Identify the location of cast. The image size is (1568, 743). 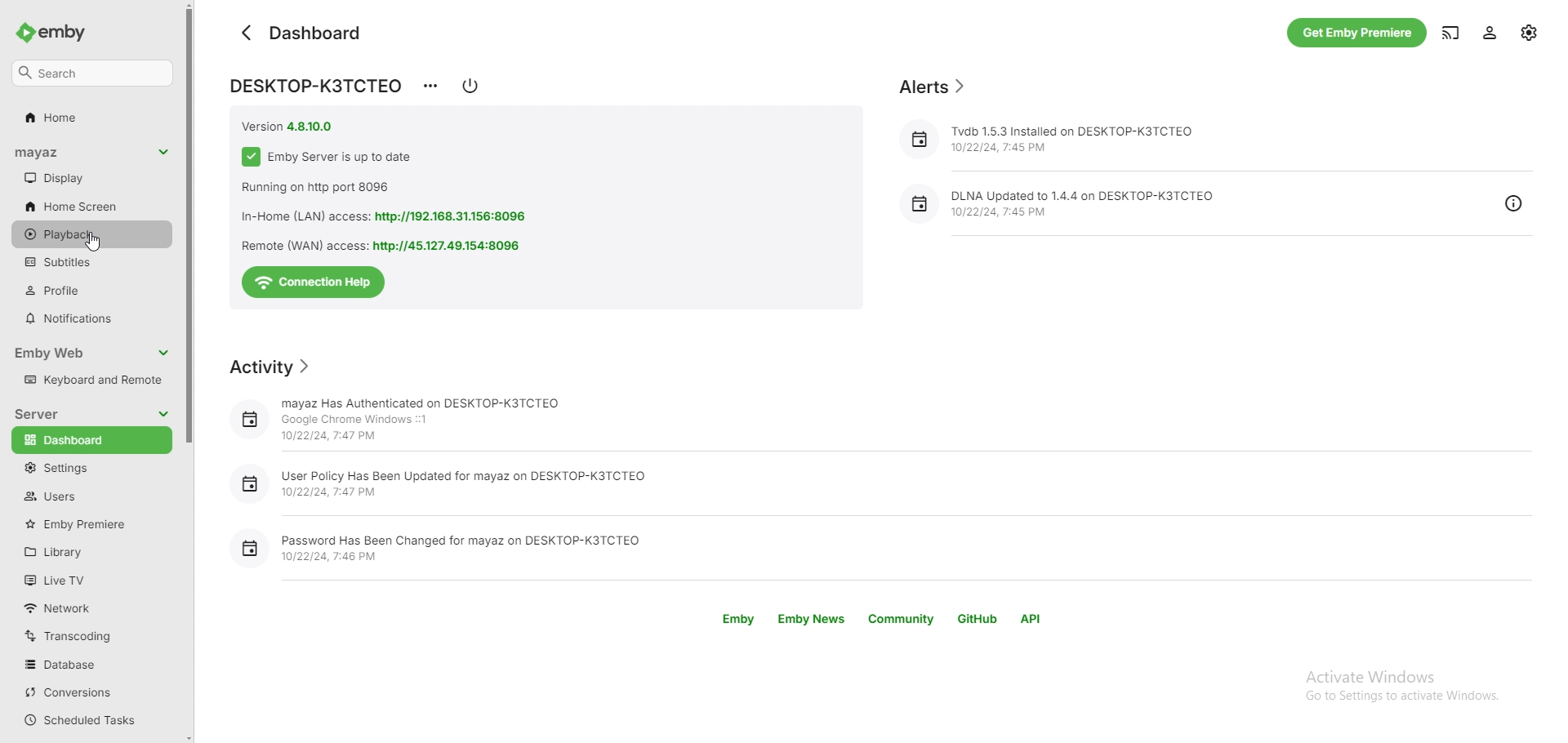
(1450, 31).